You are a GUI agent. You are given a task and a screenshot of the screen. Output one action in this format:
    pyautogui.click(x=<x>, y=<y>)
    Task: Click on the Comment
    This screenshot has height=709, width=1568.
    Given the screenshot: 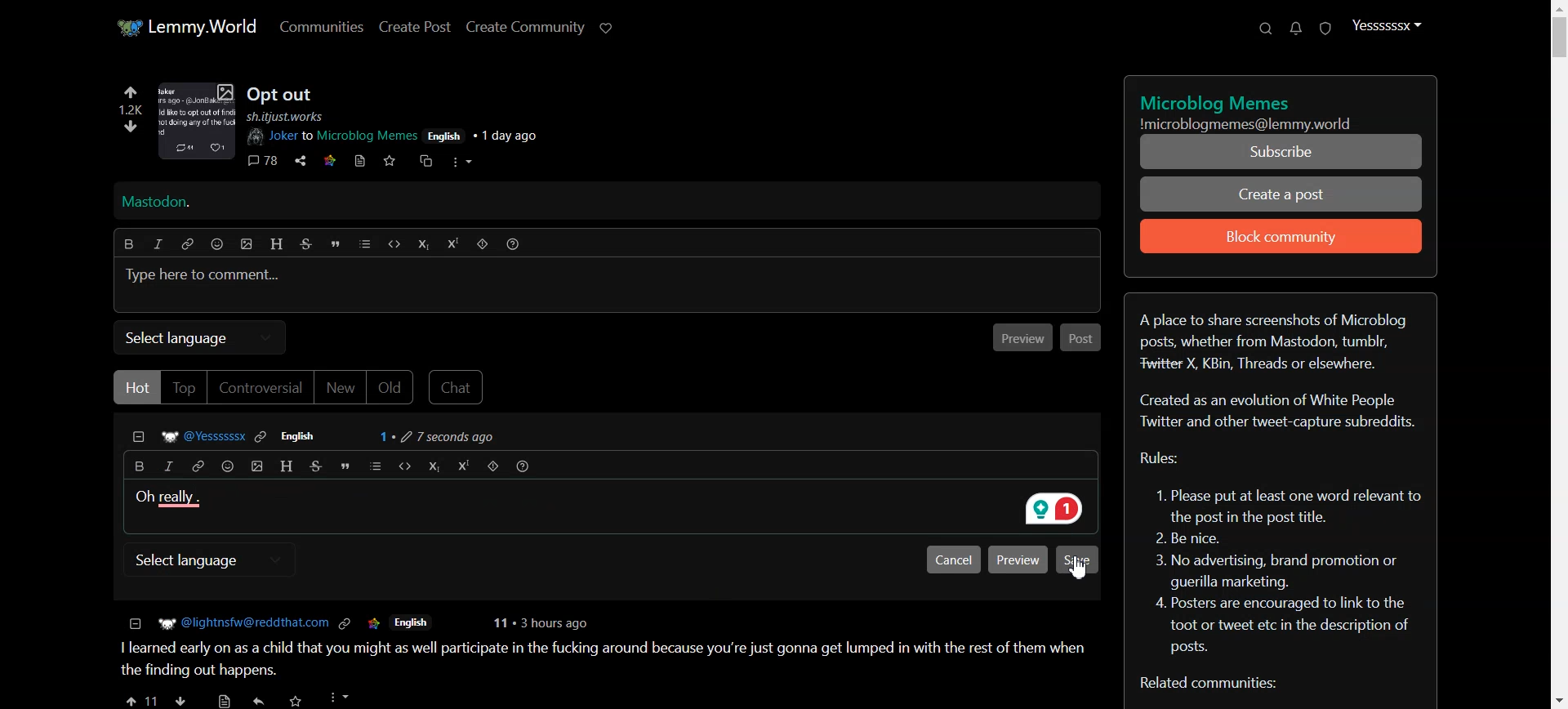 What is the action you would take?
    pyautogui.click(x=325, y=435)
    